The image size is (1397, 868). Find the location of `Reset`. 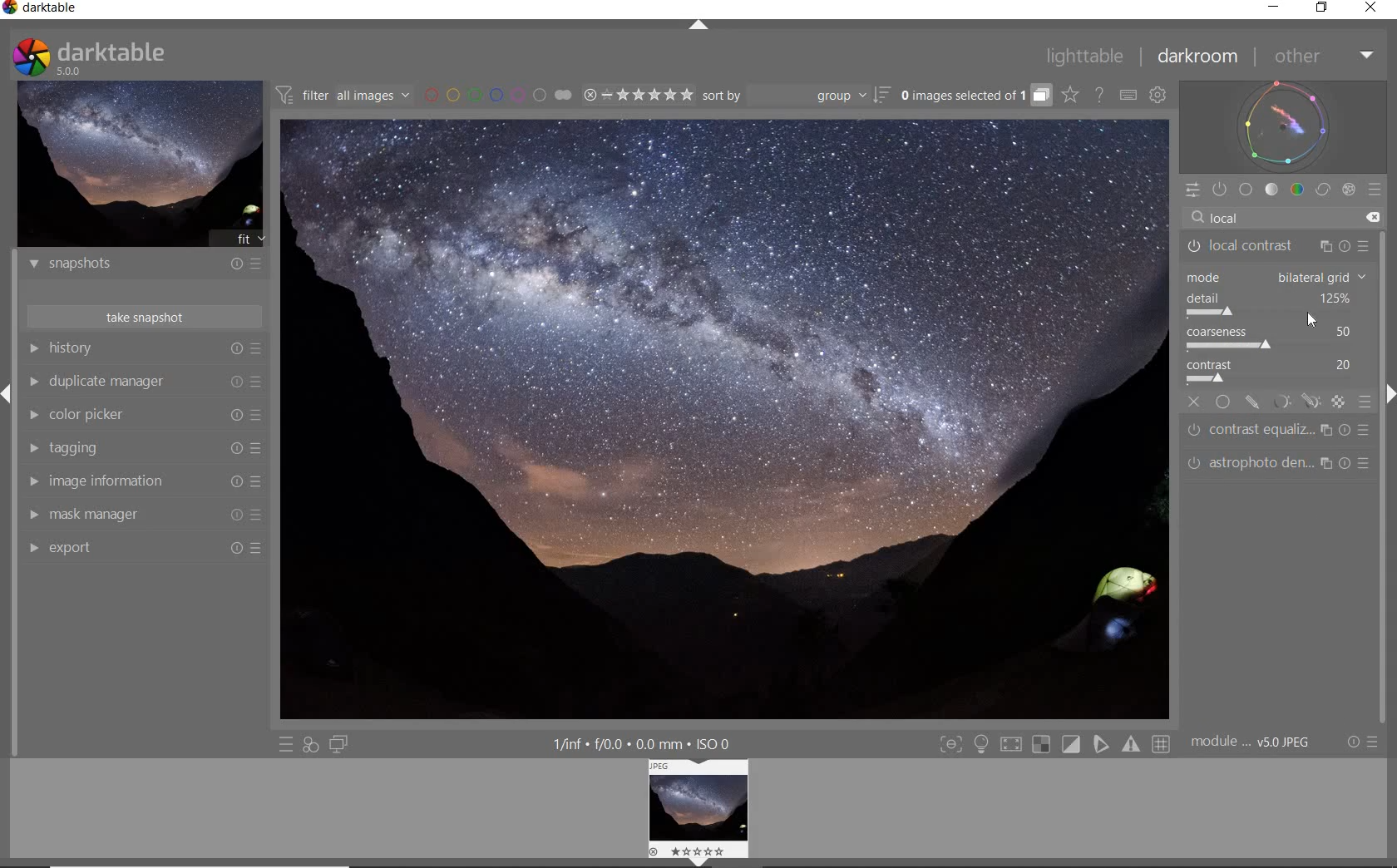

Reset is located at coordinates (259, 547).